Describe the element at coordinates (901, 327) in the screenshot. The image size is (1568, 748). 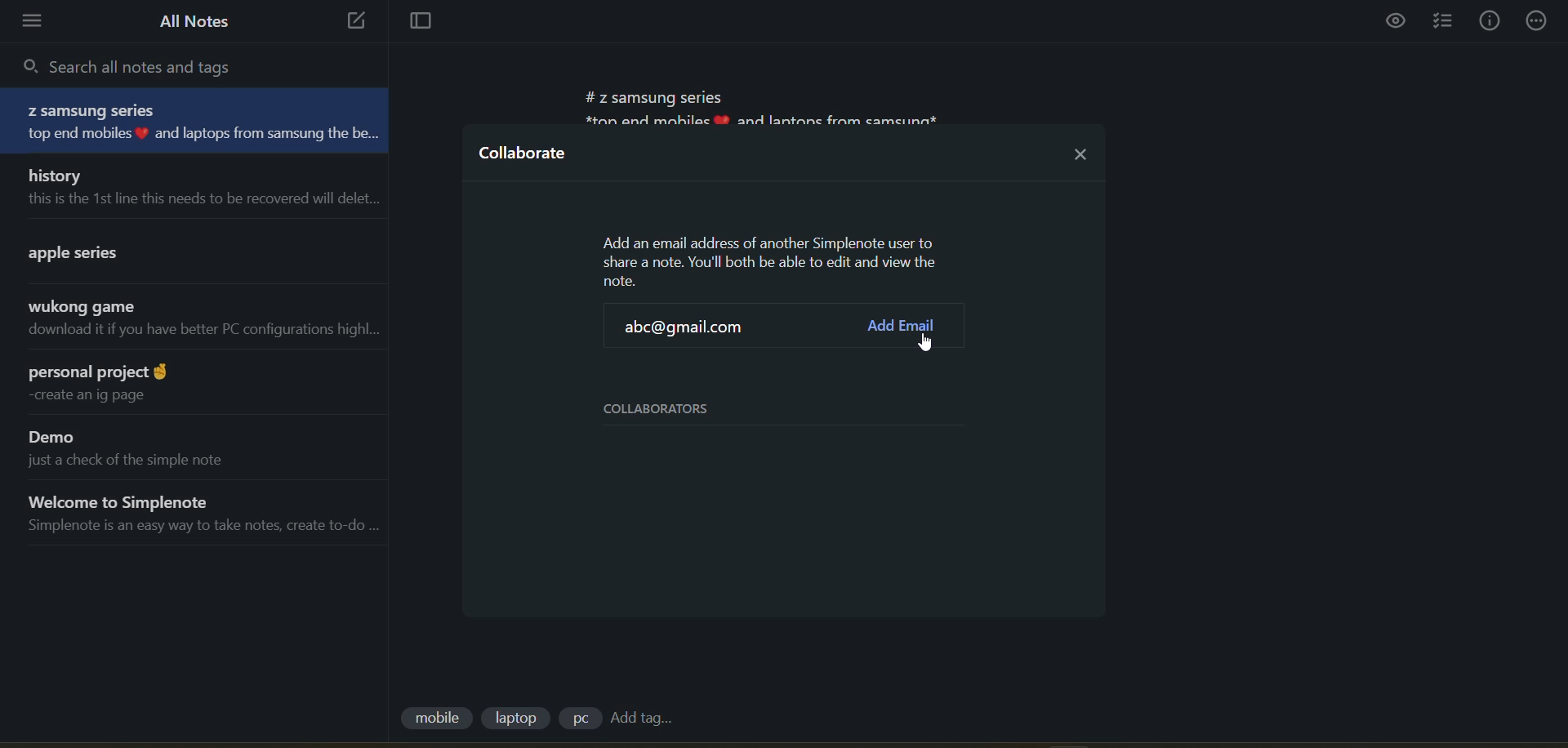
I see `add email` at that location.